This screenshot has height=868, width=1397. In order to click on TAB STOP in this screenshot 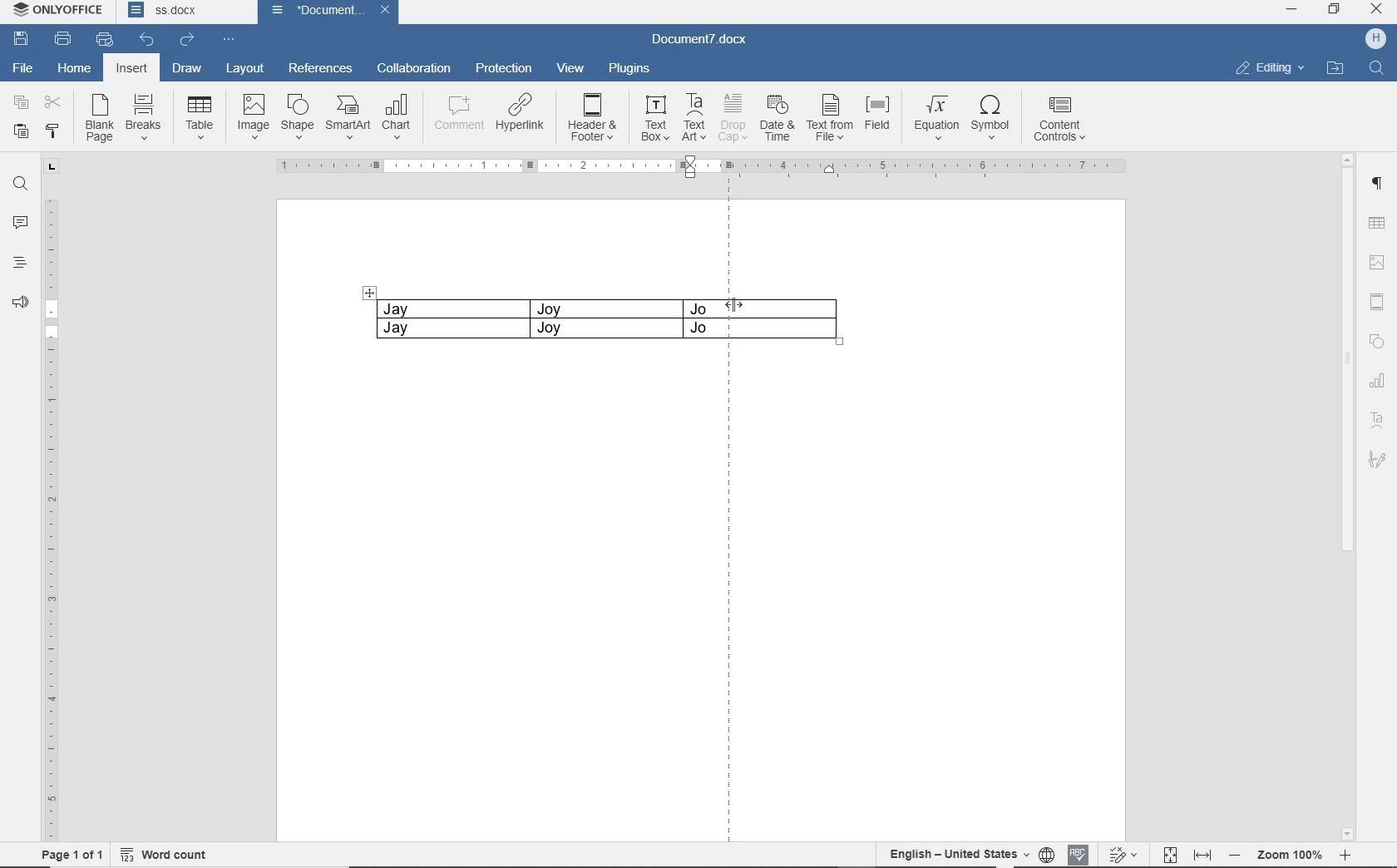, I will do `click(49, 168)`.